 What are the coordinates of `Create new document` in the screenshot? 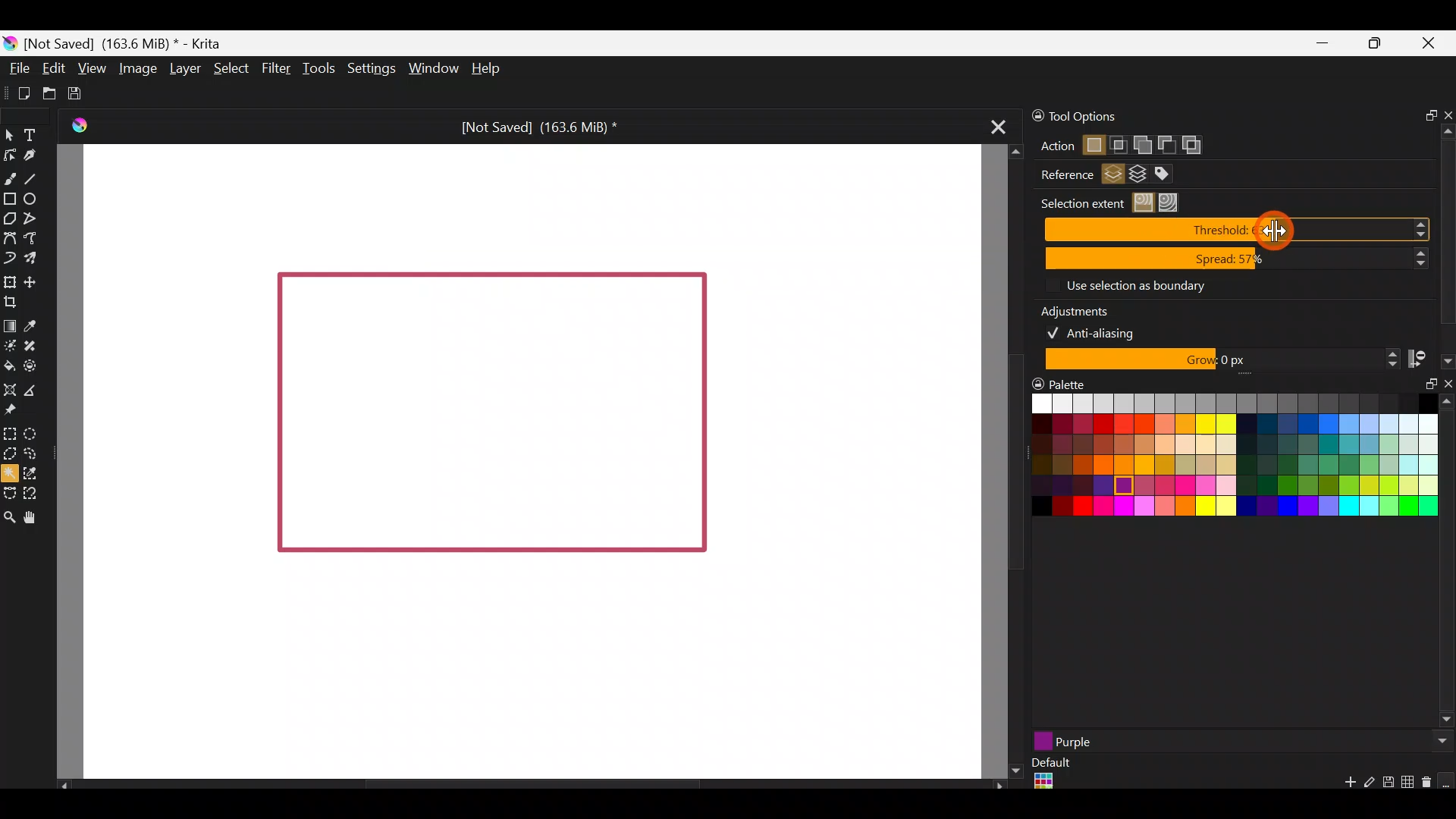 It's located at (18, 92).